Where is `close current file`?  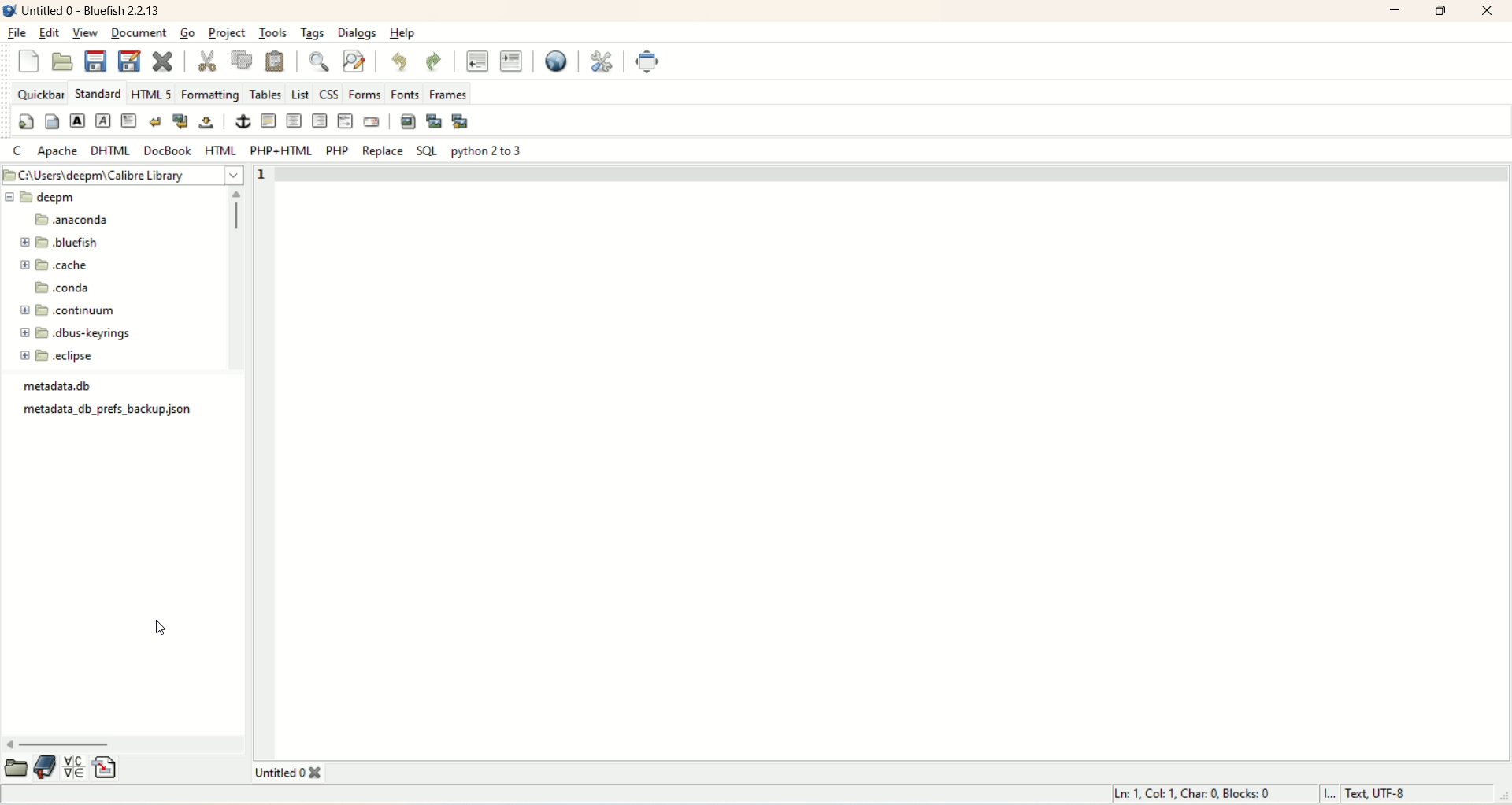 close current file is located at coordinates (161, 59).